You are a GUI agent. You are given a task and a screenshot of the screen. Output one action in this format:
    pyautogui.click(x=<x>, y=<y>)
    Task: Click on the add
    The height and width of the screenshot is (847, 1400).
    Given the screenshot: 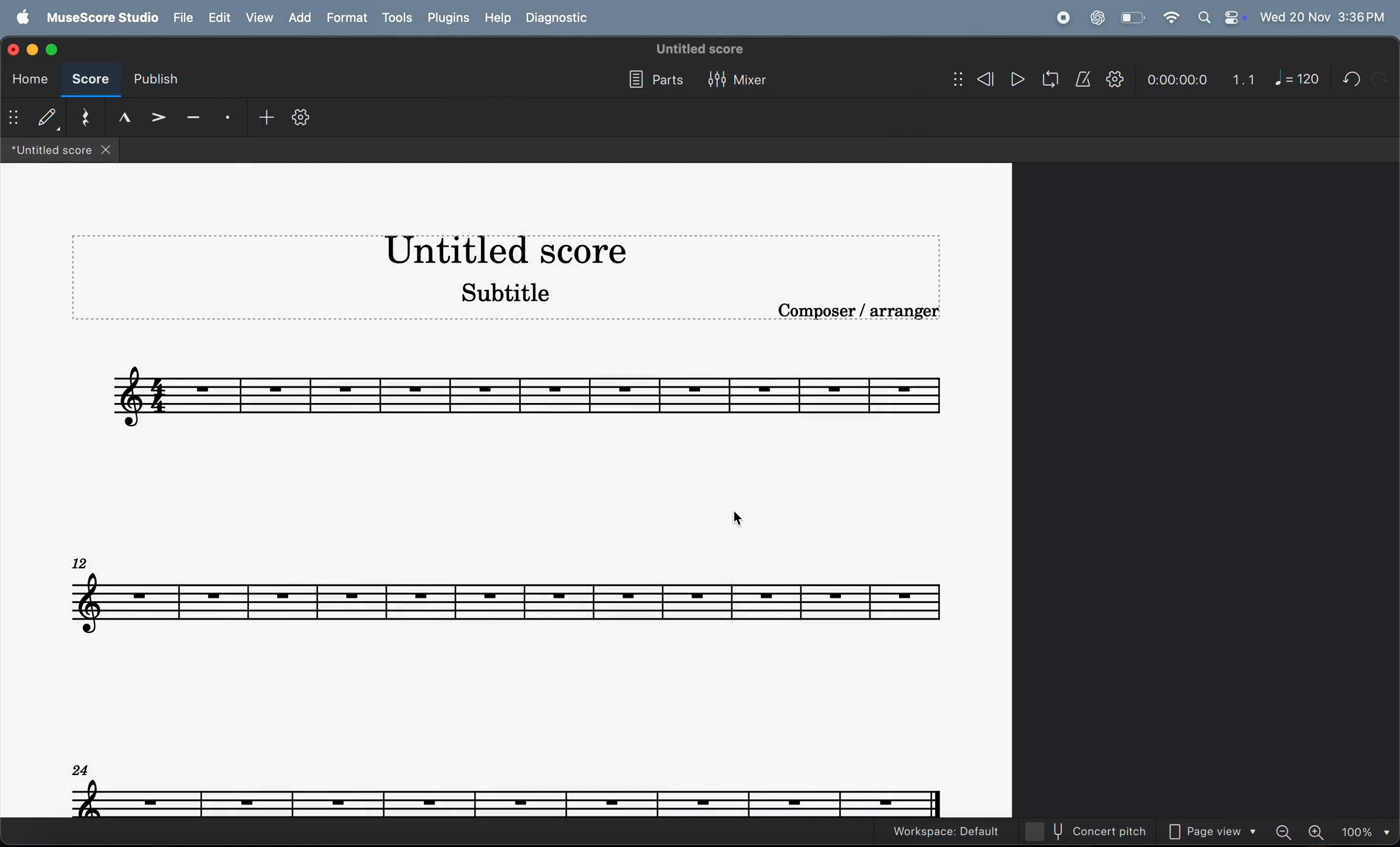 What is the action you would take?
    pyautogui.click(x=262, y=118)
    